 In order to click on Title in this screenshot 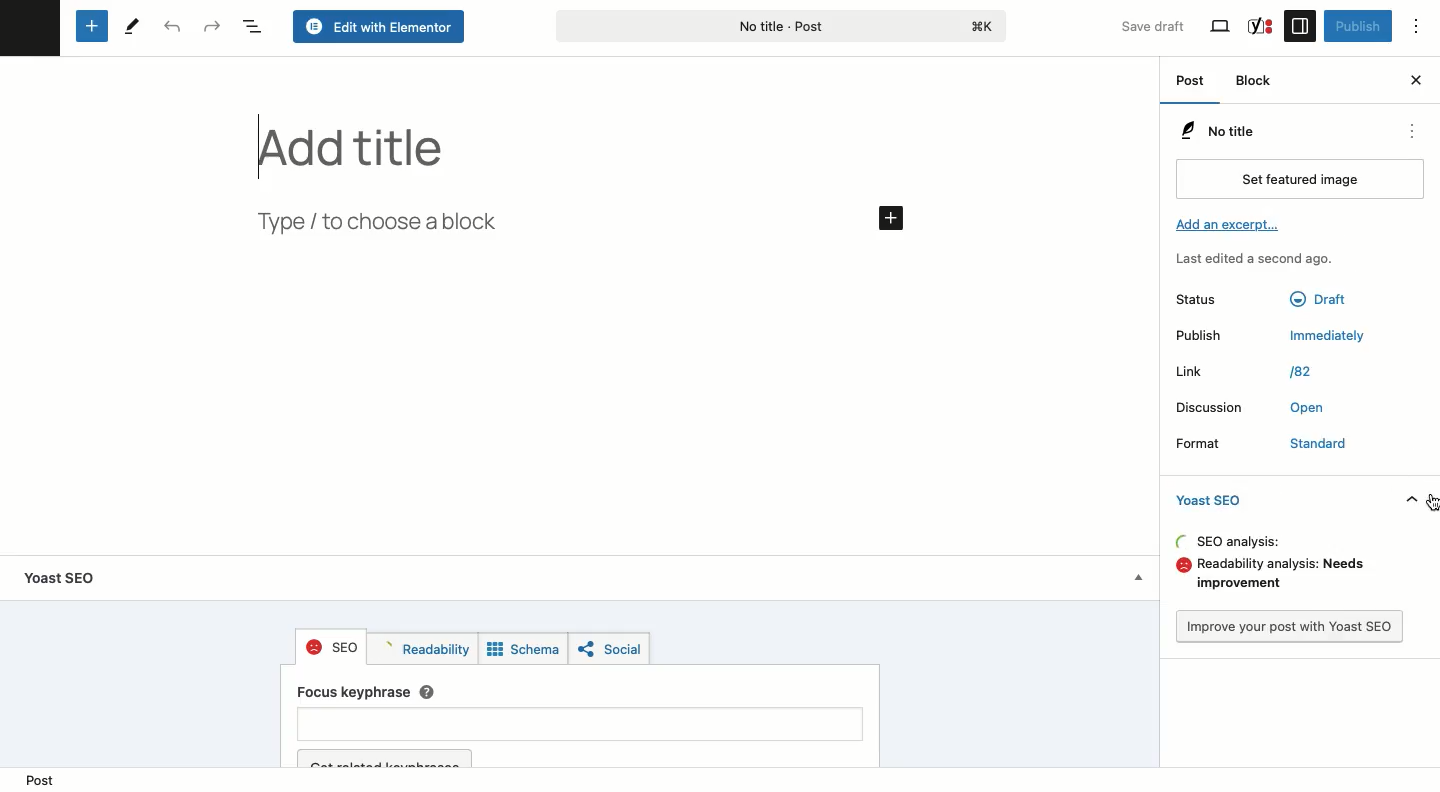, I will do `click(1214, 130)`.